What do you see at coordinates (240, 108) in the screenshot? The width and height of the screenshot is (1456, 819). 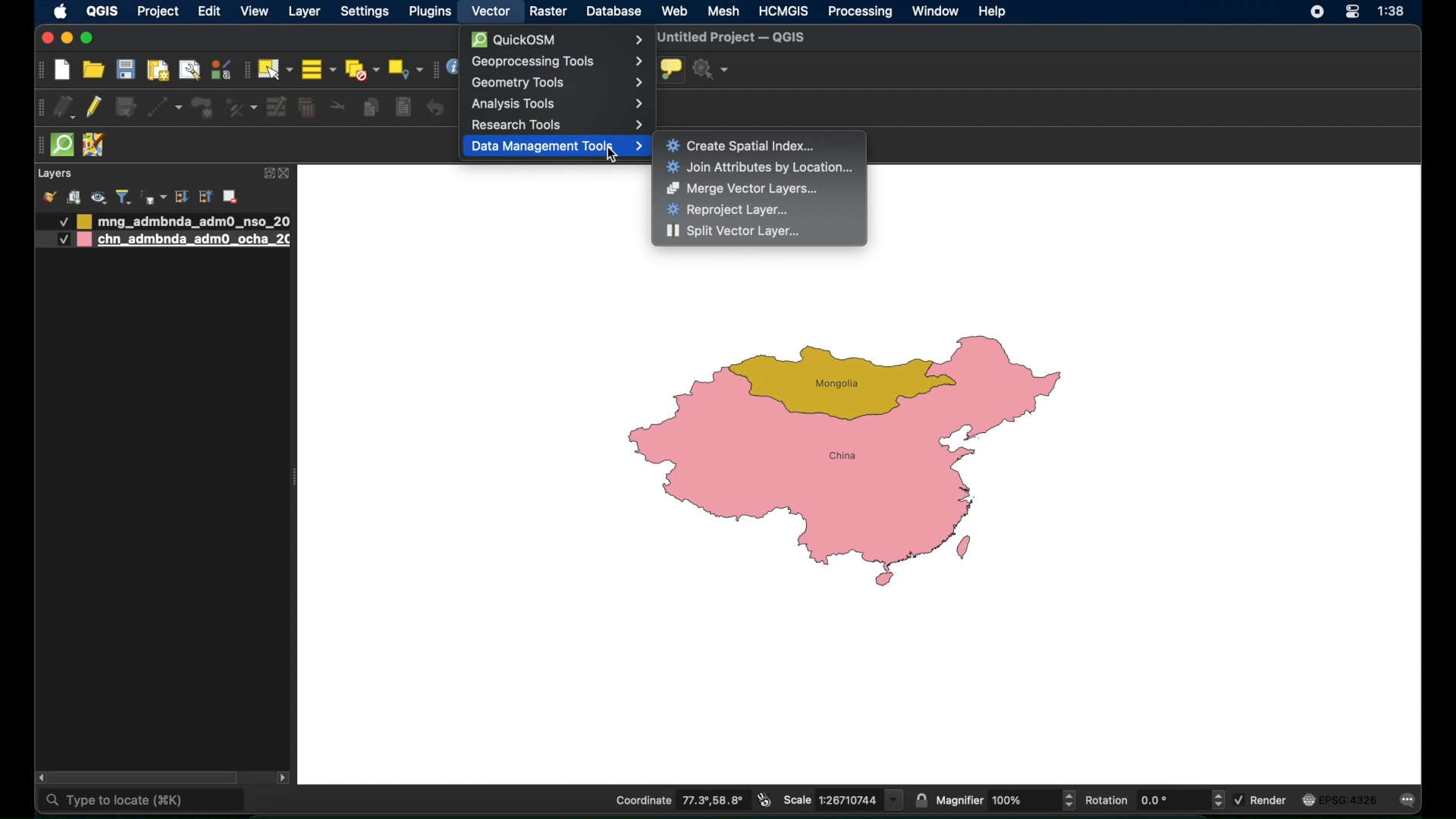 I see `vertex tool` at bounding box center [240, 108].